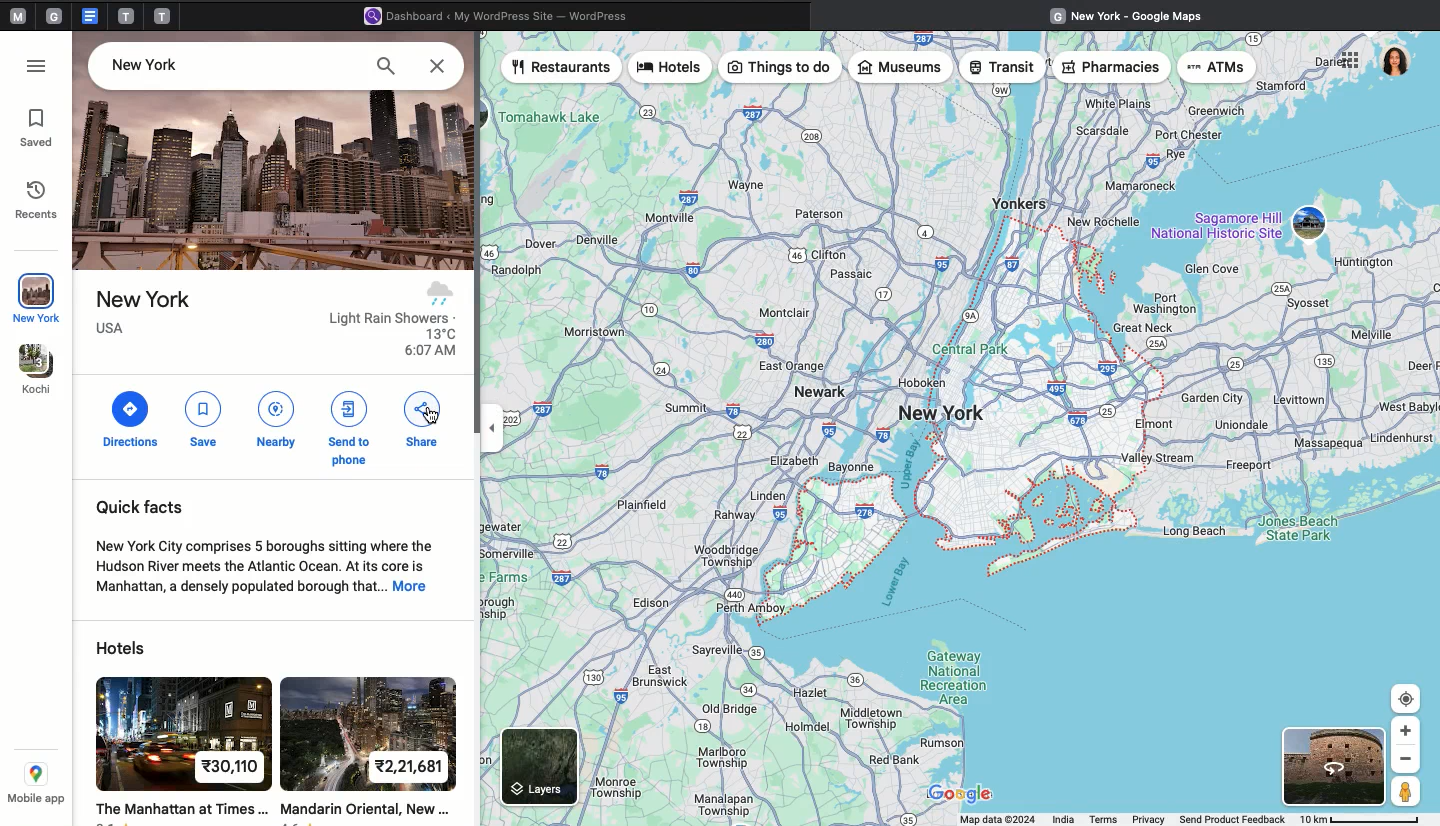 The height and width of the screenshot is (826, 1440). Describe the element at coordinates (1347, 62) in the screenshot. I see `Options` at that location.